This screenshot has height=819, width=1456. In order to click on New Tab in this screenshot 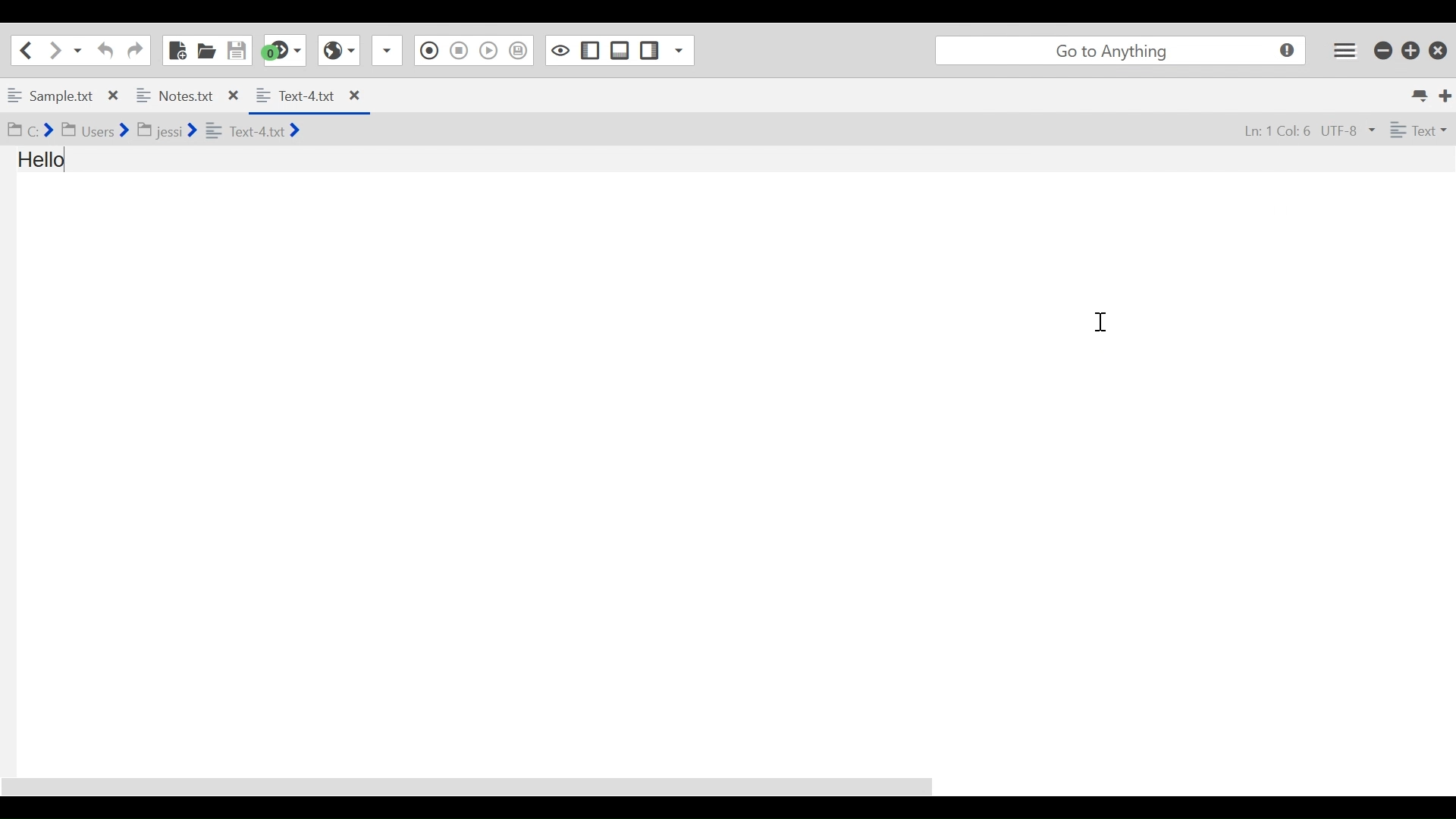, I will do `click(1446, 96)`.